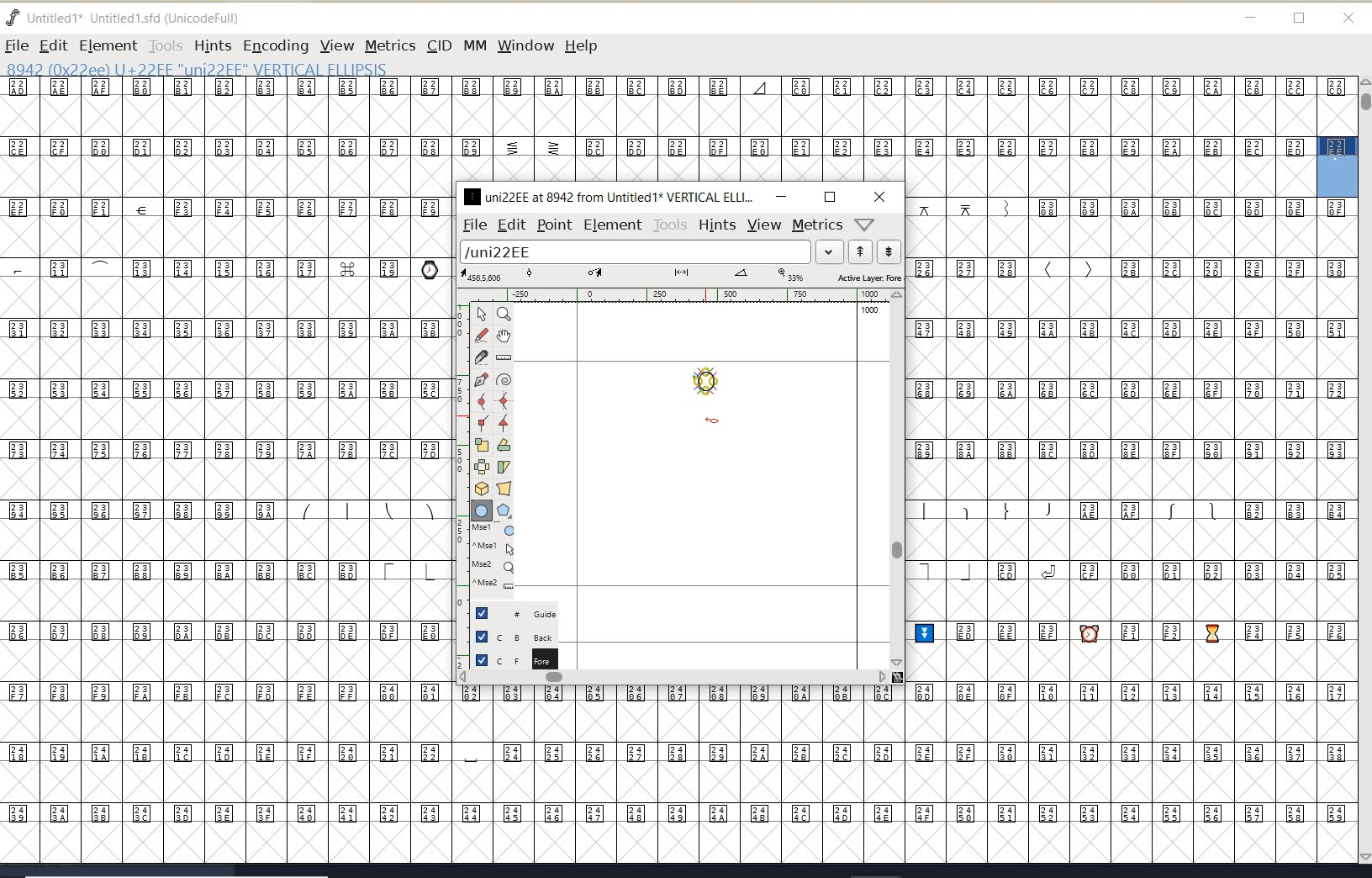 The height and width of the screenshot is (878, 1372). I want to click on perform a perspective transformation on the selection, so click(504, 488).